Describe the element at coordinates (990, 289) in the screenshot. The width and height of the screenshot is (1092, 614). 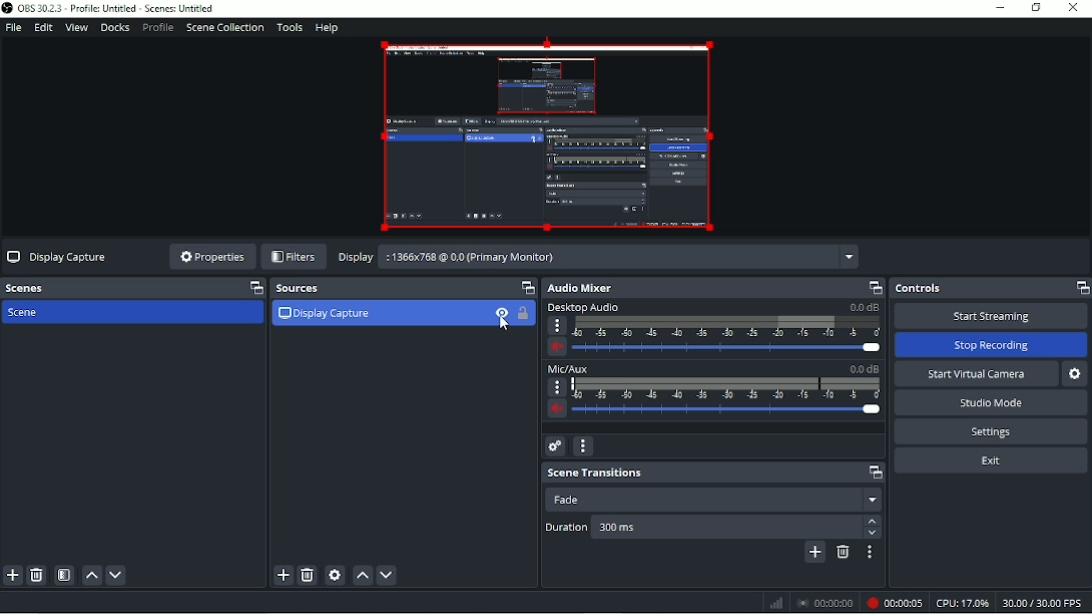
I see `Controls` at that location.